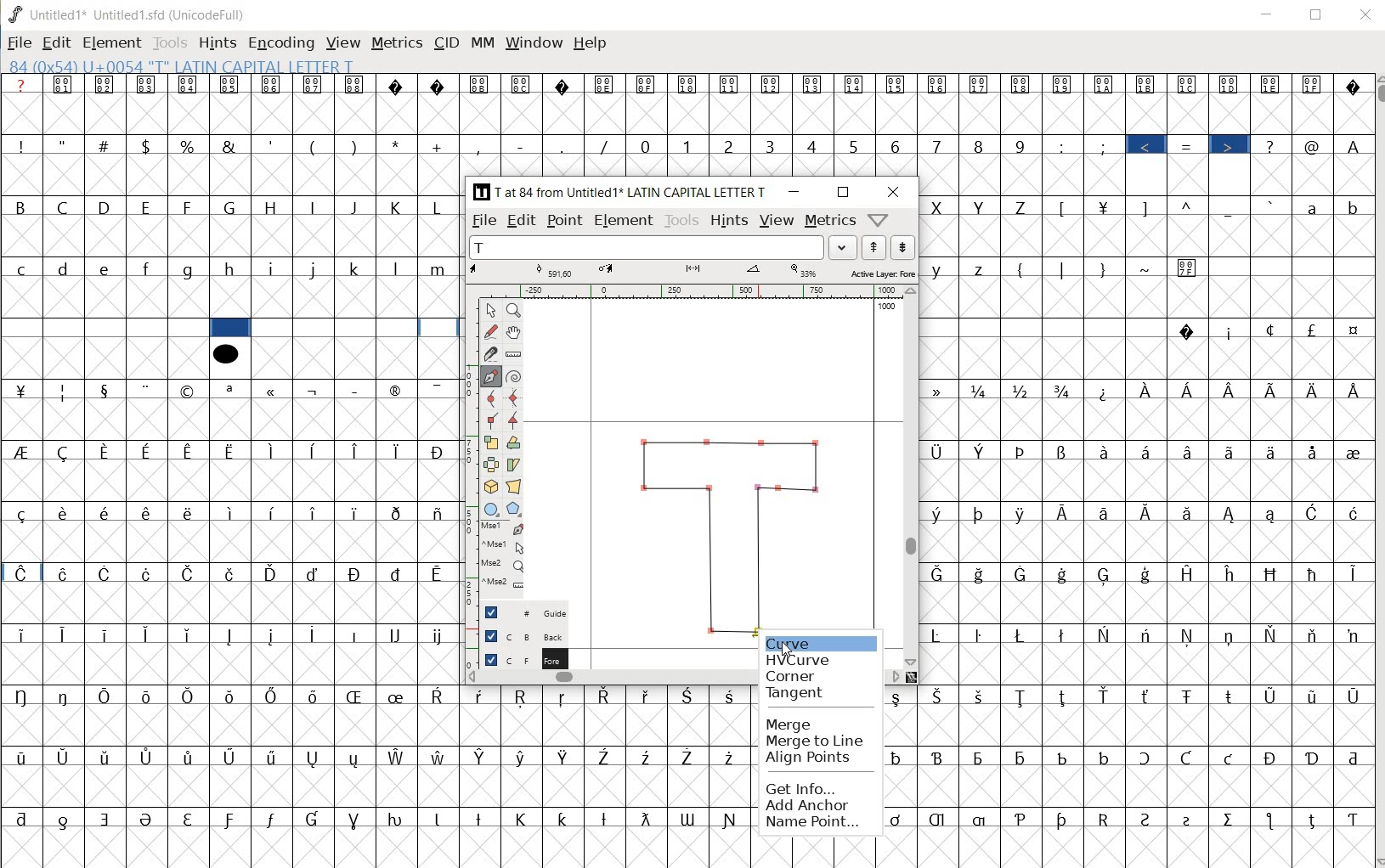  What do you see at coordinates (1024, 696) in the screenshot?
I see `Symbol` at bounding box center [1024, 696].